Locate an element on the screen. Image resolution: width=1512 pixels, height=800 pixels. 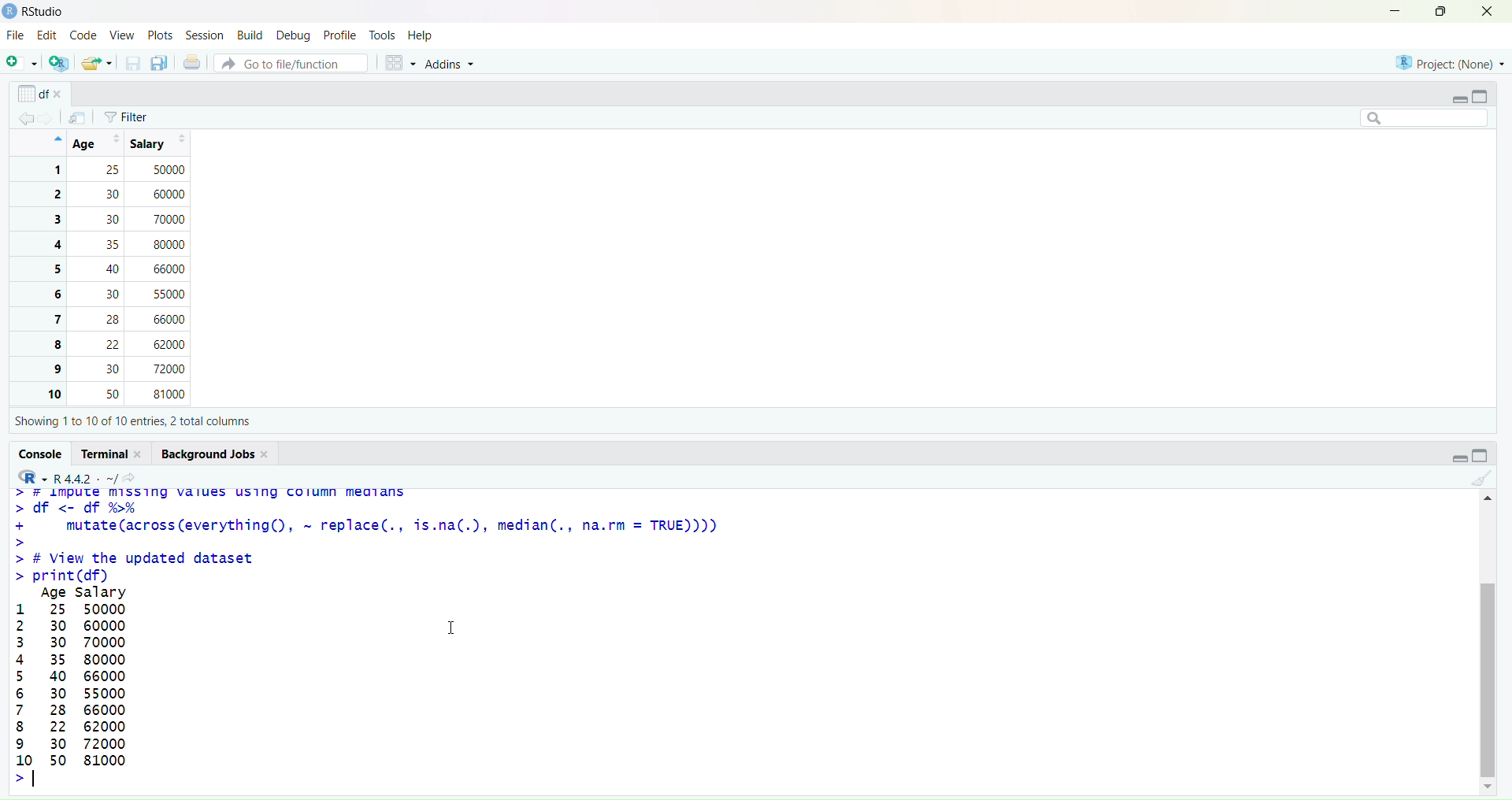
Showing 1 to 10 of 10 entries, 2 total columns is located at coordinates (129, 420).